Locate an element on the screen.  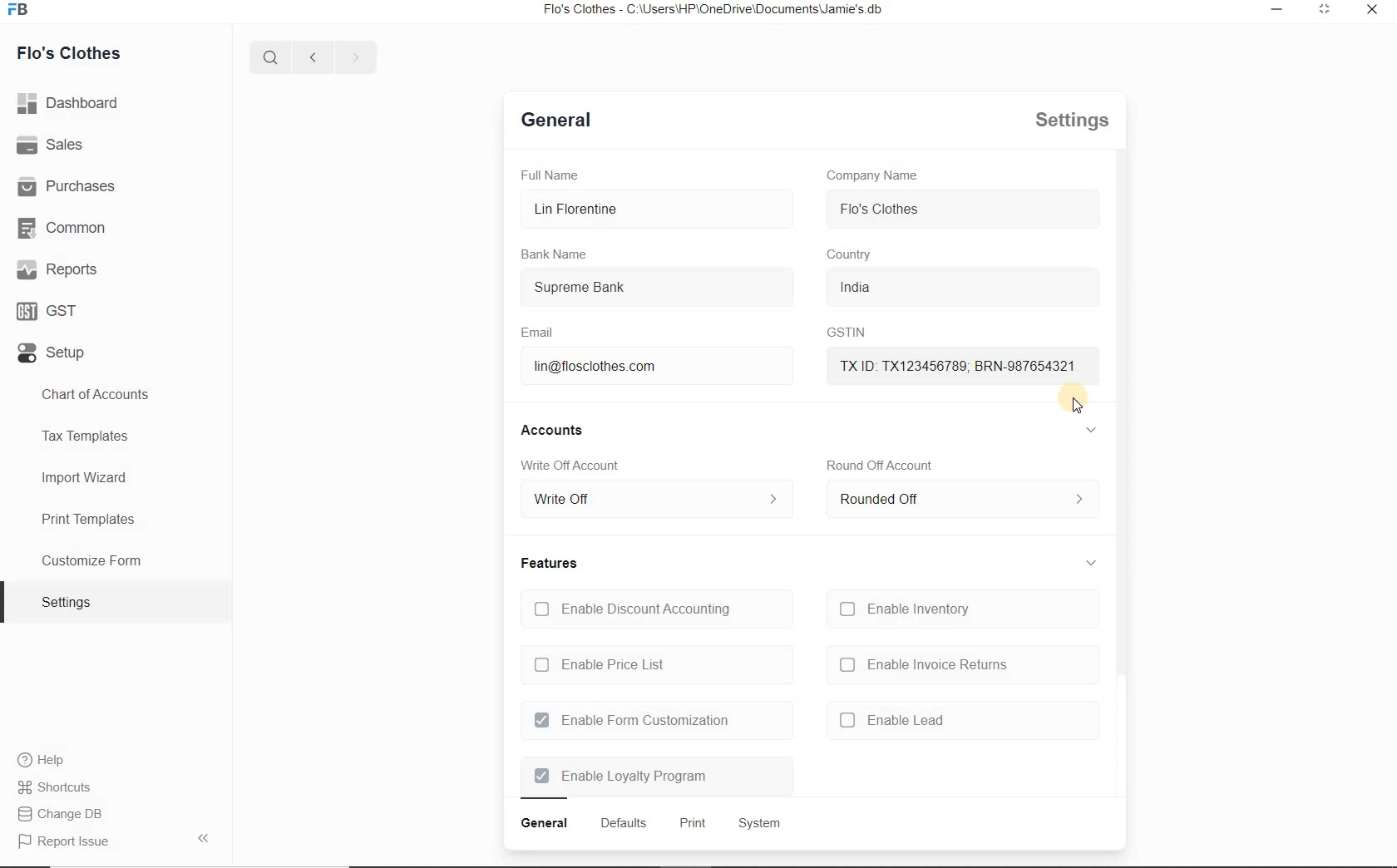
Change DB is located at coordinates (66, 787).